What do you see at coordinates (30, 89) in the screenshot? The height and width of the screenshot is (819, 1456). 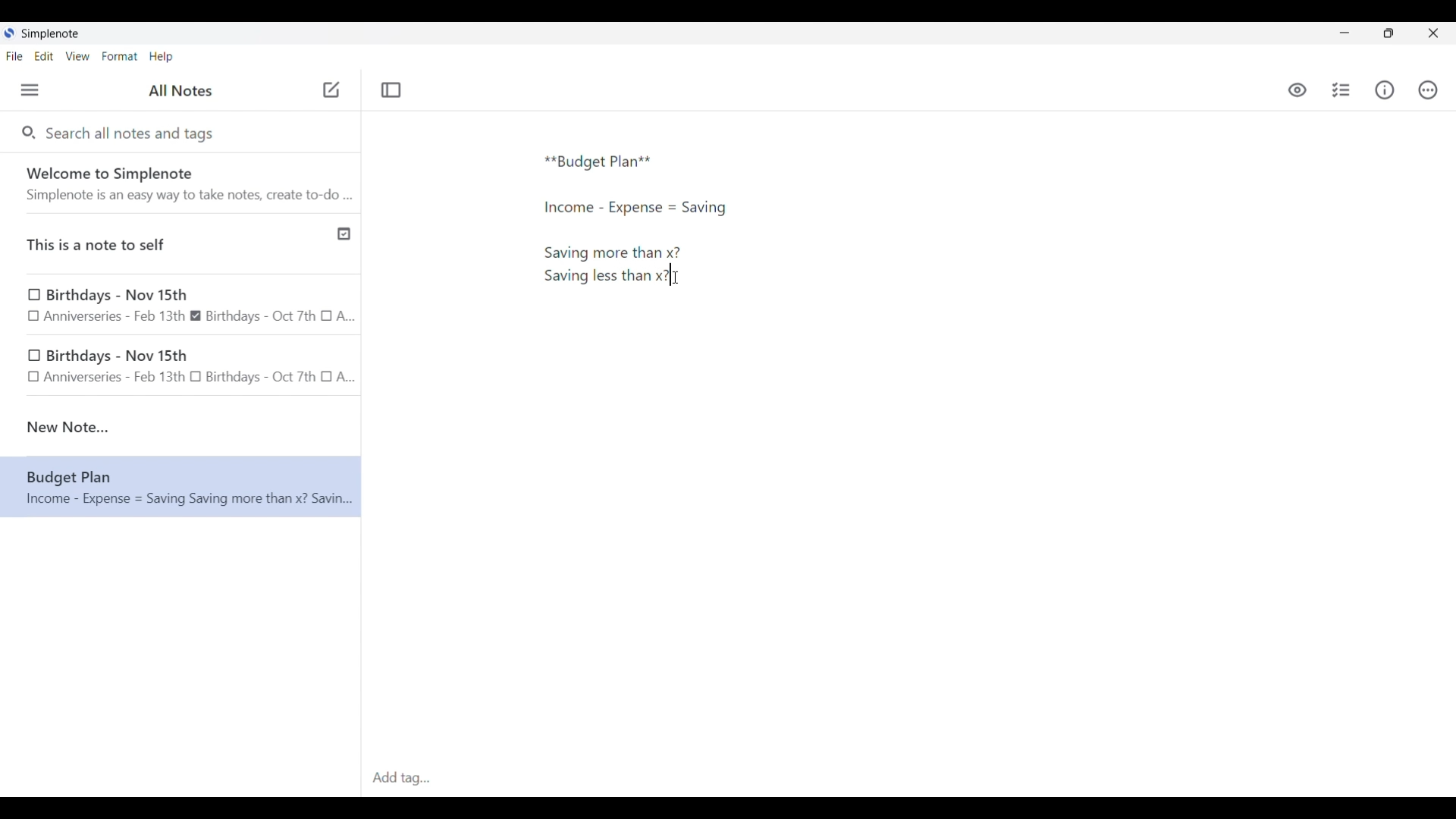 I see `Menu` at bounding box center [30, 89].